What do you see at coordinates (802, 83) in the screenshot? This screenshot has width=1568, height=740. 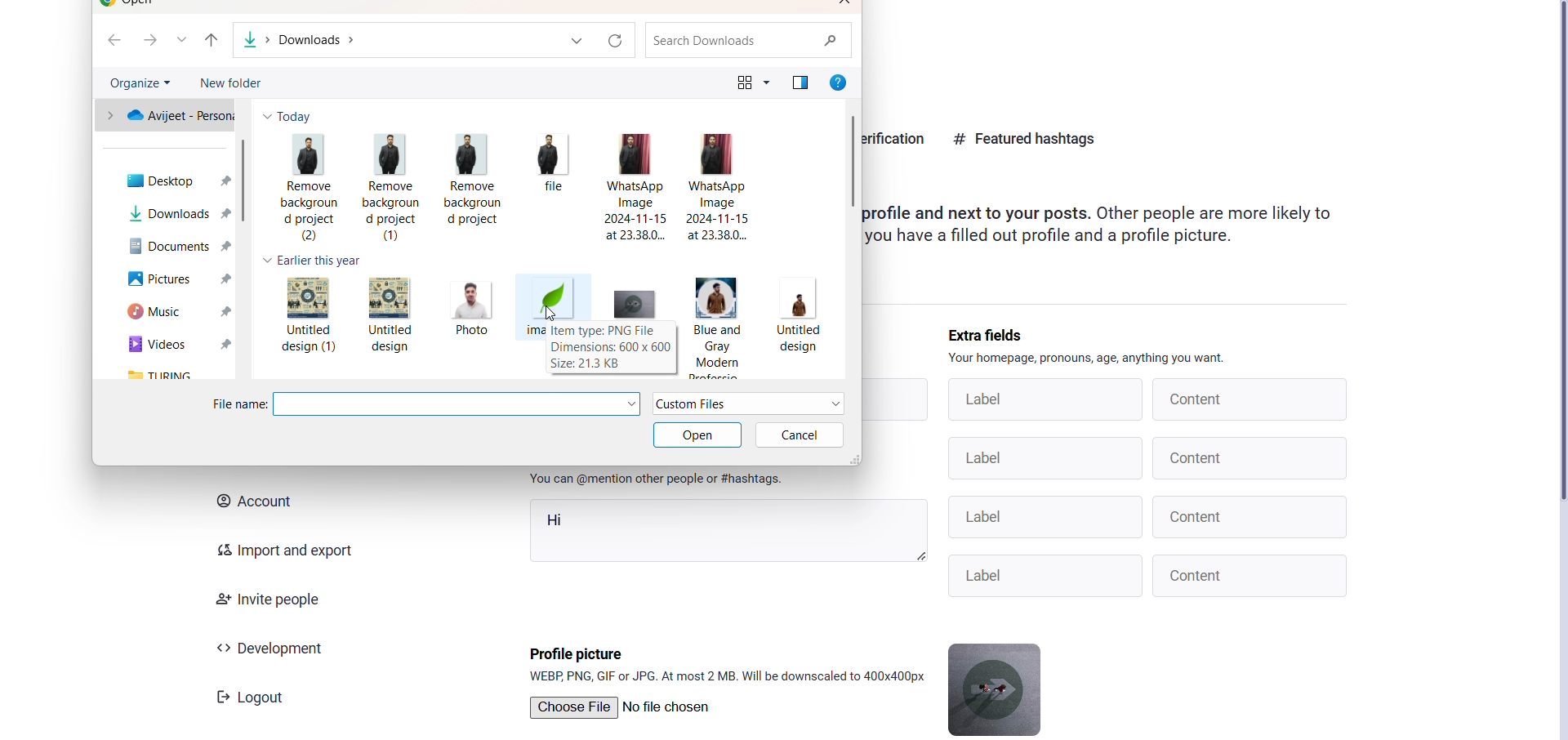 I see `preview pane` at bounding box center [802, 83].